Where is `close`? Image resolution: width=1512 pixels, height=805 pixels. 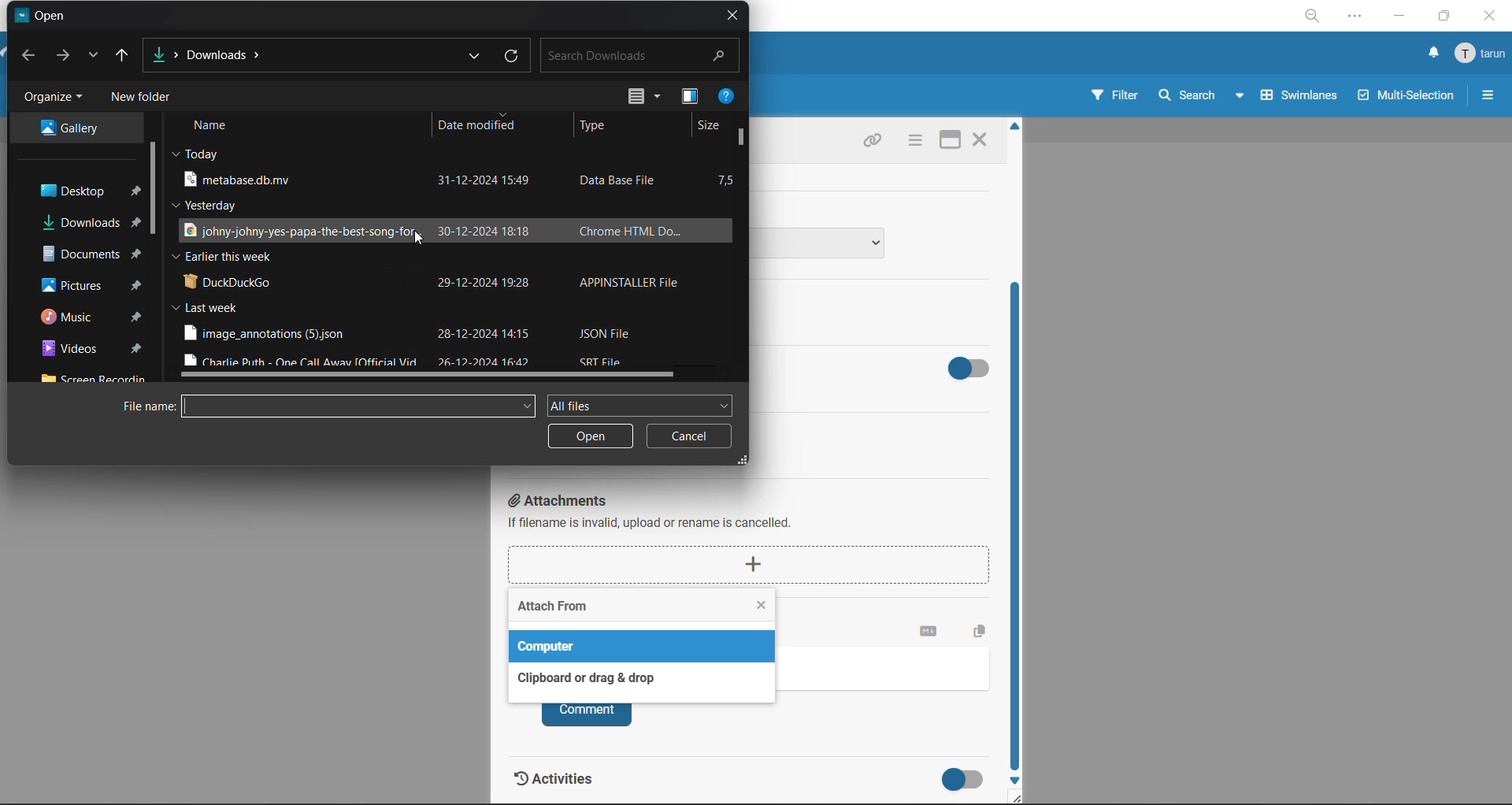
close is located at coordinates (733, 17).